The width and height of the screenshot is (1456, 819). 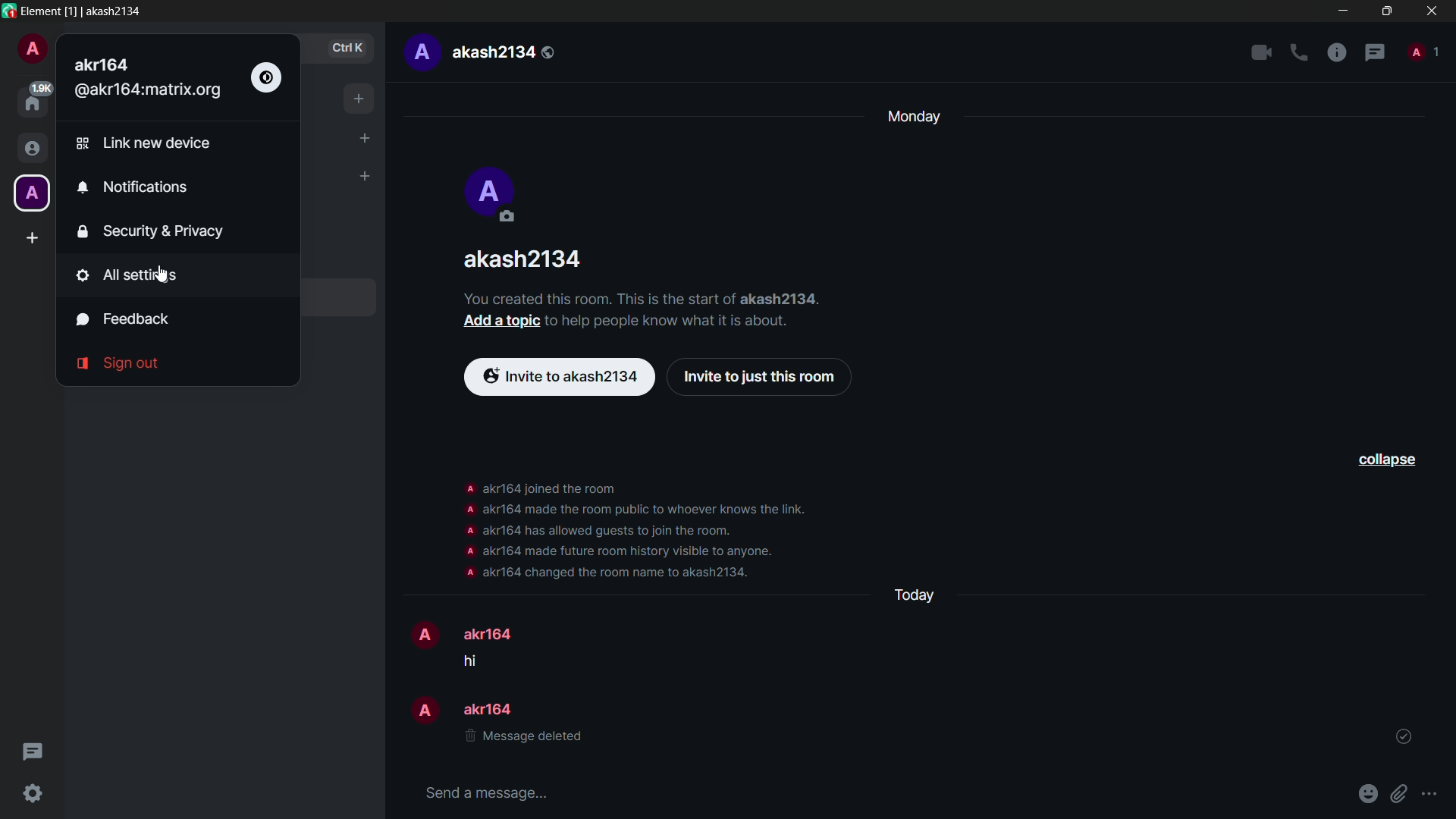 What do you see at coordinates (1261, 52) in the screenshot?
I see `add video call` at bounding box center [1261, 52].